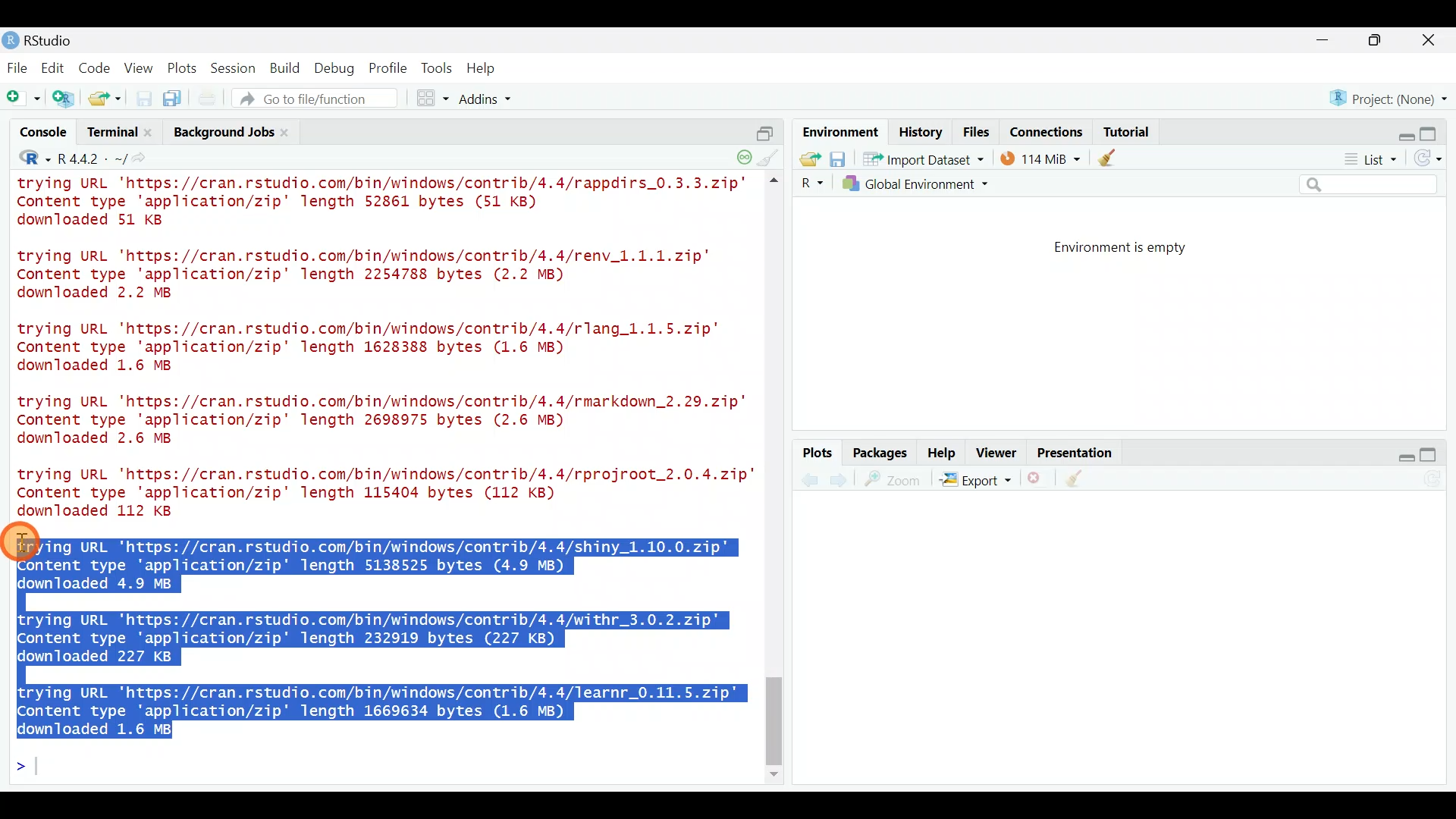 This screenshot has height=819, width=1456. What do you see at coordinates (438, 67) in the screenshot?
I see `Tools` at bounding box center [438, 67].